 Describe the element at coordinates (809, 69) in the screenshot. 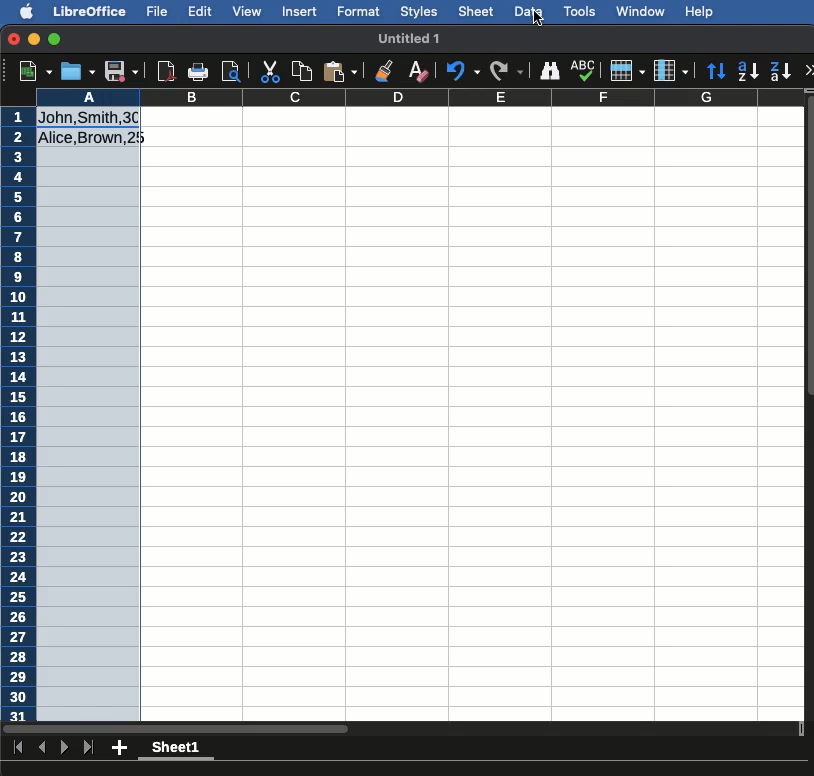

I see `More` at that location.